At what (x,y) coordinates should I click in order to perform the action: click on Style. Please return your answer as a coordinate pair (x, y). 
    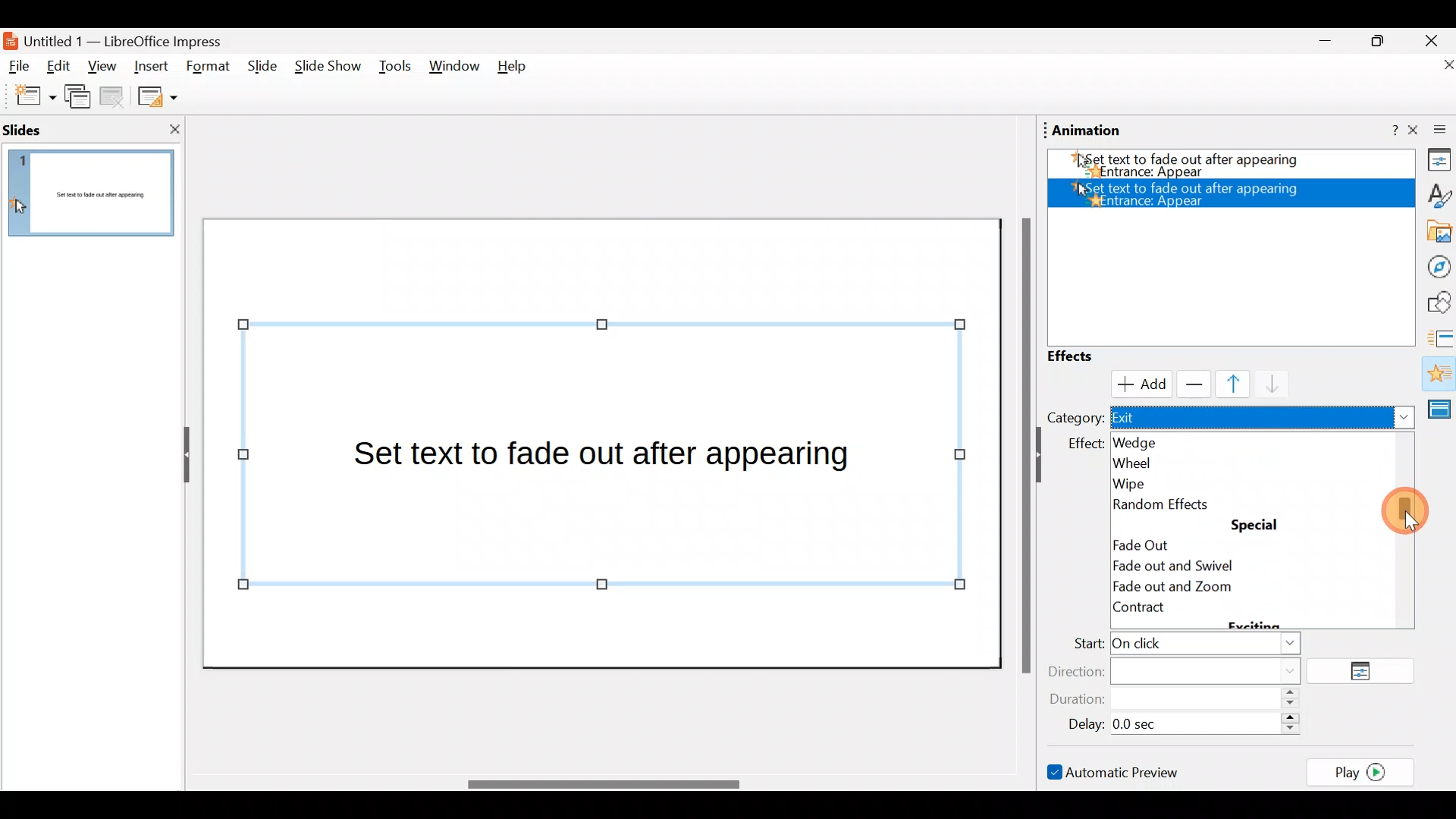
    Looking at the image, I should click on (1434, 194).